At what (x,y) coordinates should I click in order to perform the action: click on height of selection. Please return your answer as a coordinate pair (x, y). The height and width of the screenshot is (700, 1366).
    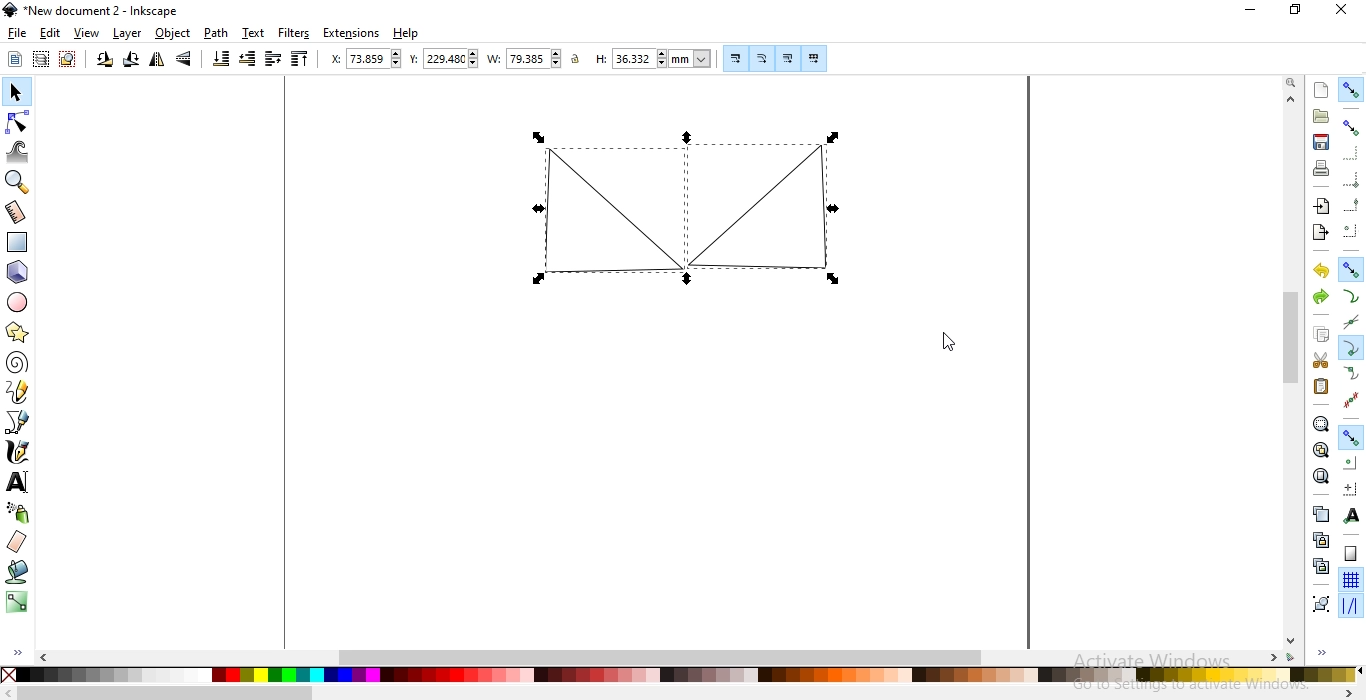
    Looking at the image, I should click on (653, 58).